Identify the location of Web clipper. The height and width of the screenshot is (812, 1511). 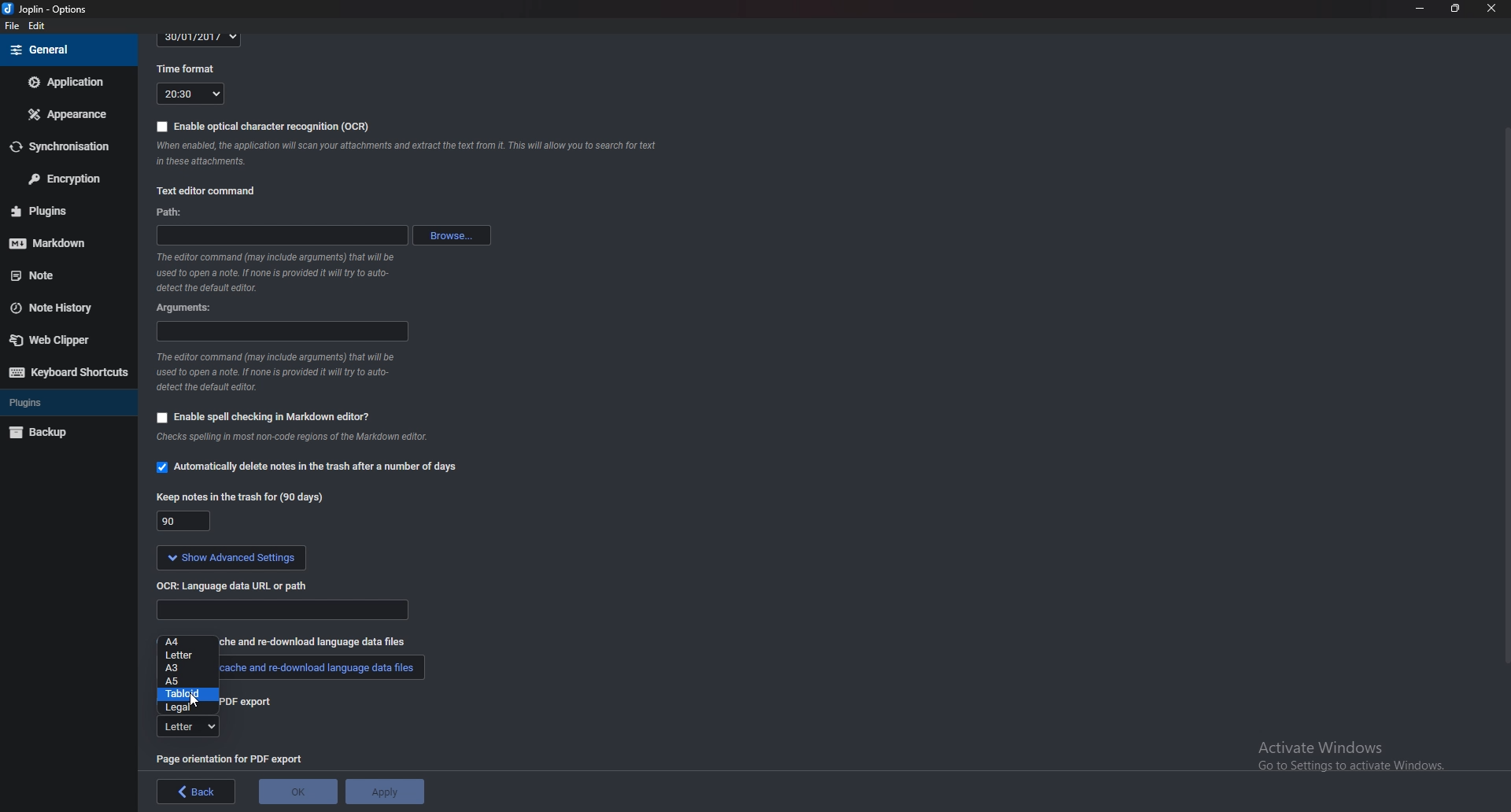
(62, 340).